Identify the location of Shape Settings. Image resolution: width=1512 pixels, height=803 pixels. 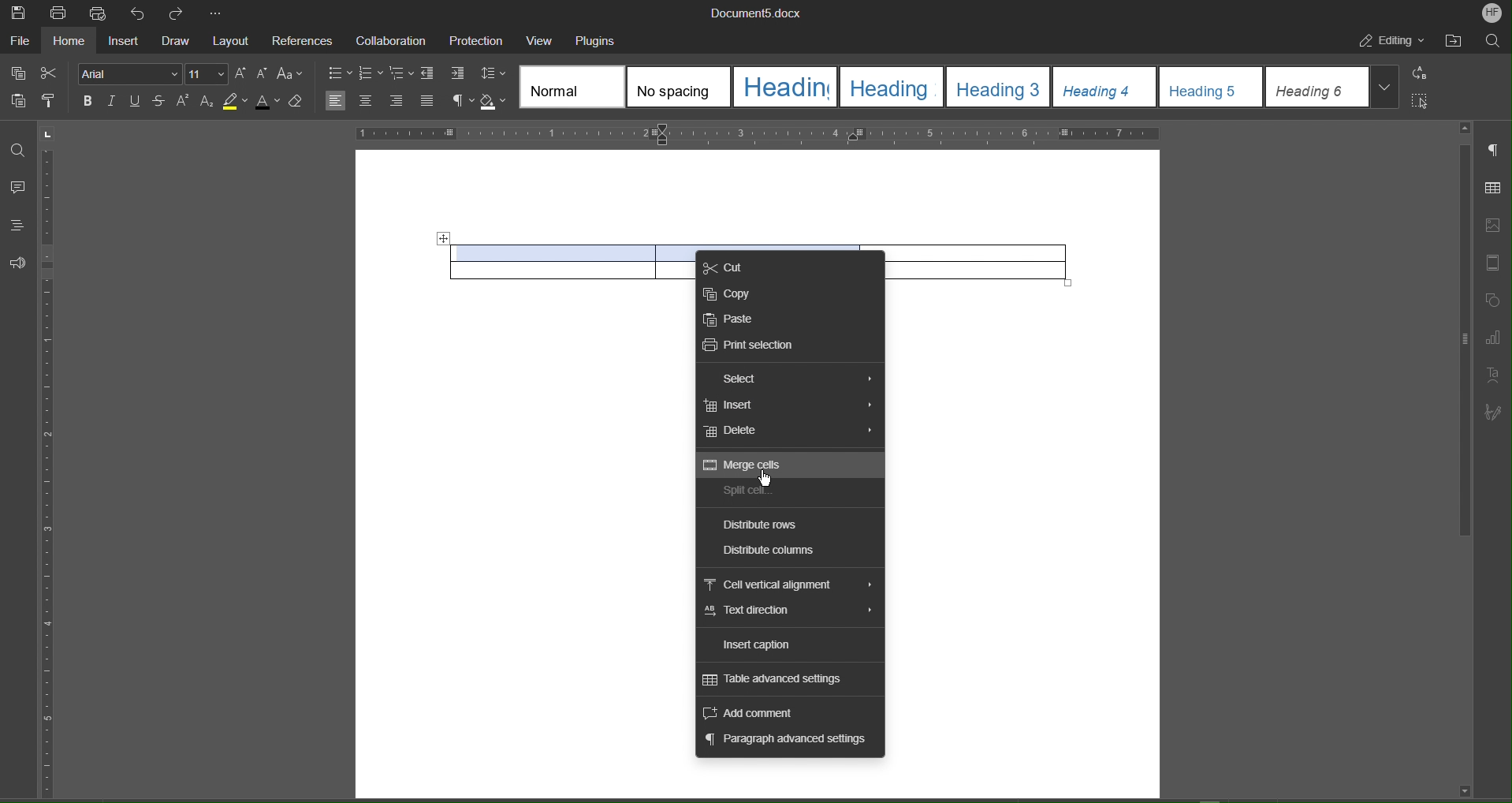
(1495, 301).